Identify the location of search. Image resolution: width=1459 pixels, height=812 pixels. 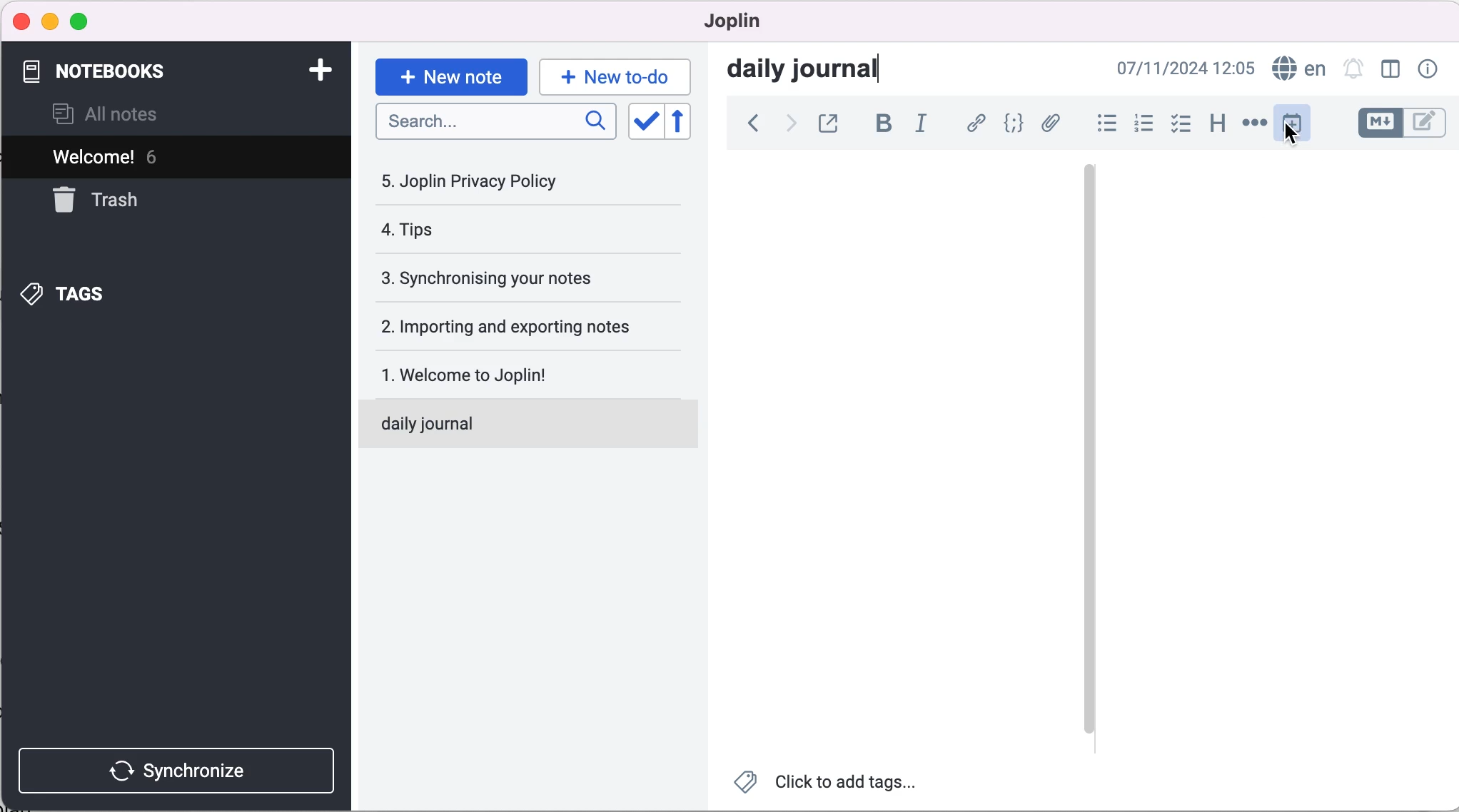
(493, 123).